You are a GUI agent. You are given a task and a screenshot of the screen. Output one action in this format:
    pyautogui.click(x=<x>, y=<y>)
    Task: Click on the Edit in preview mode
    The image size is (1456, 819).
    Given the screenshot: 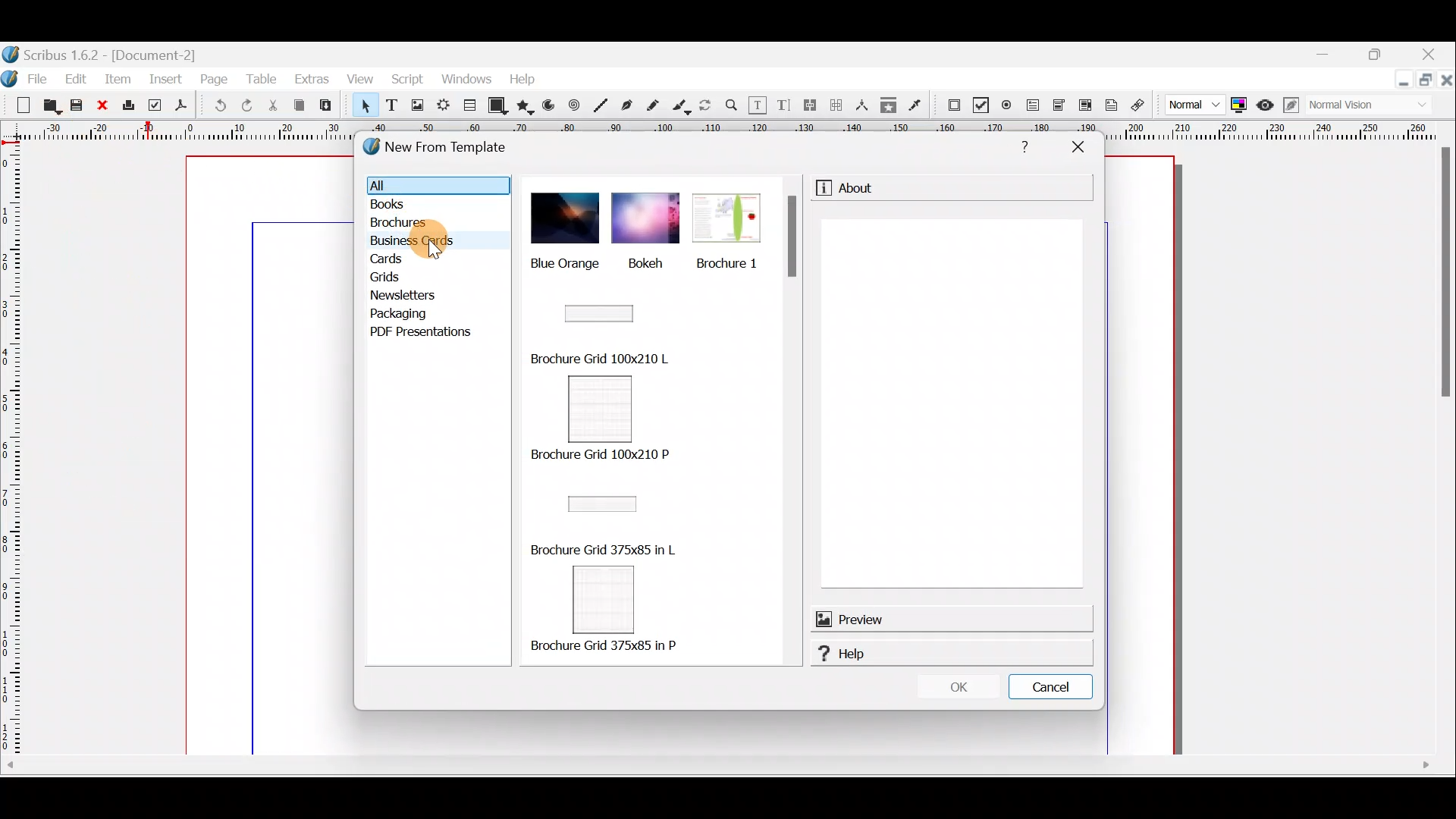 What is the action you would take?
    pyautogui.click(x=1289, y=107)
    